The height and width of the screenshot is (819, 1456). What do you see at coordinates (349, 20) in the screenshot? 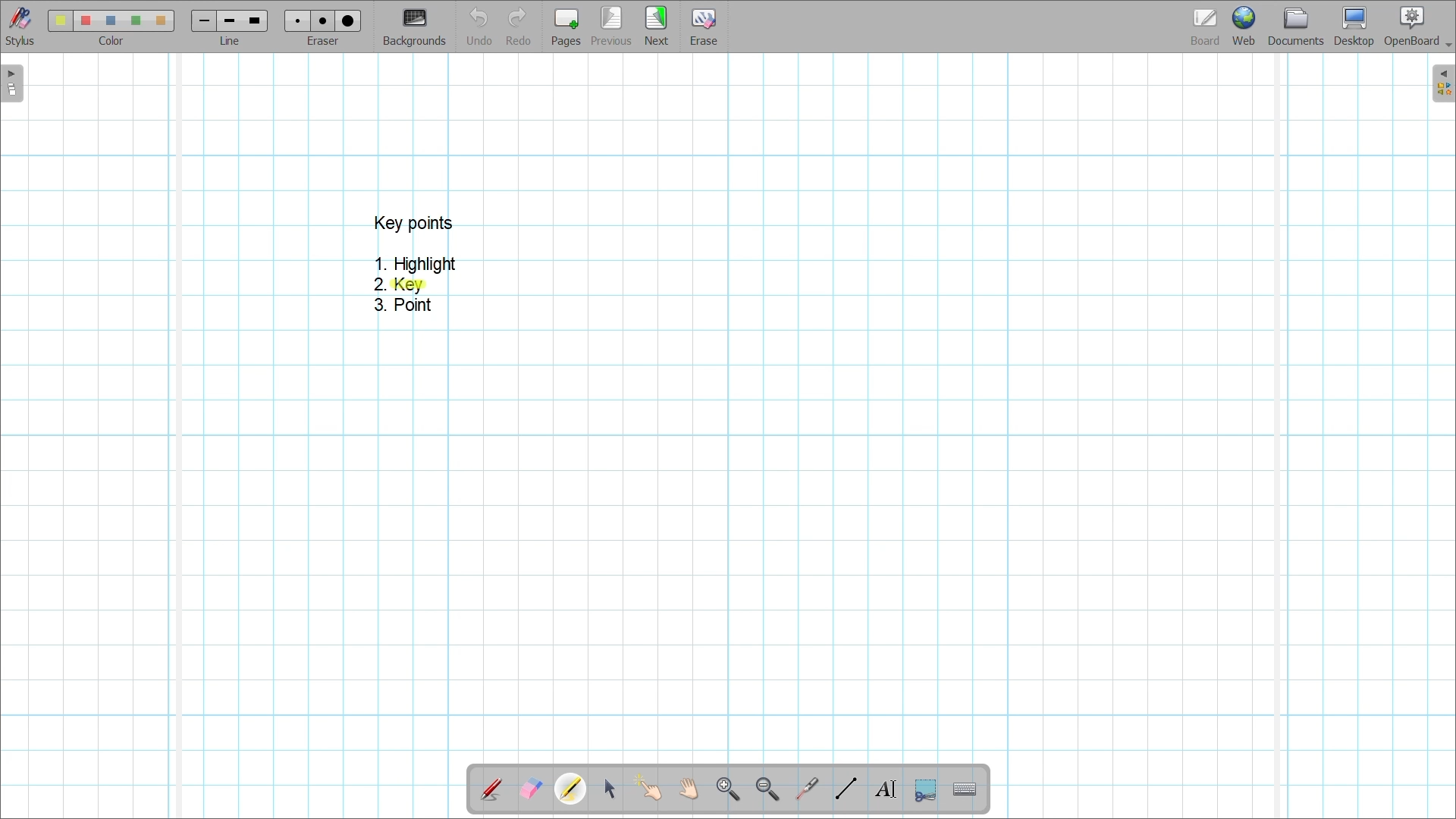
I see `eraser 3` at bounding box center [349, 20].